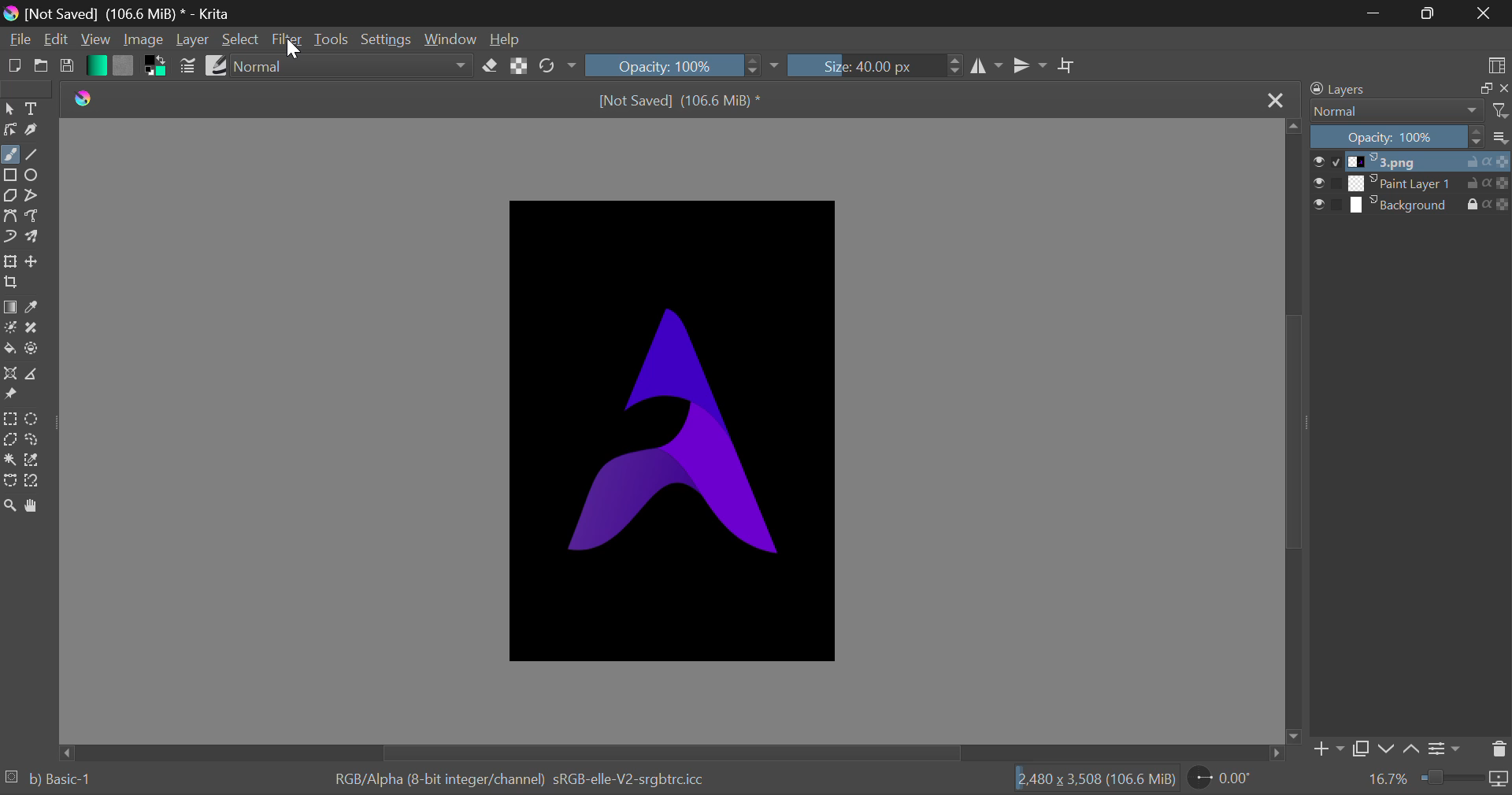 The image size is (1512, 795). Describe the element at coordinates (43, 68) in the screenshot. I see `Open` at that location.